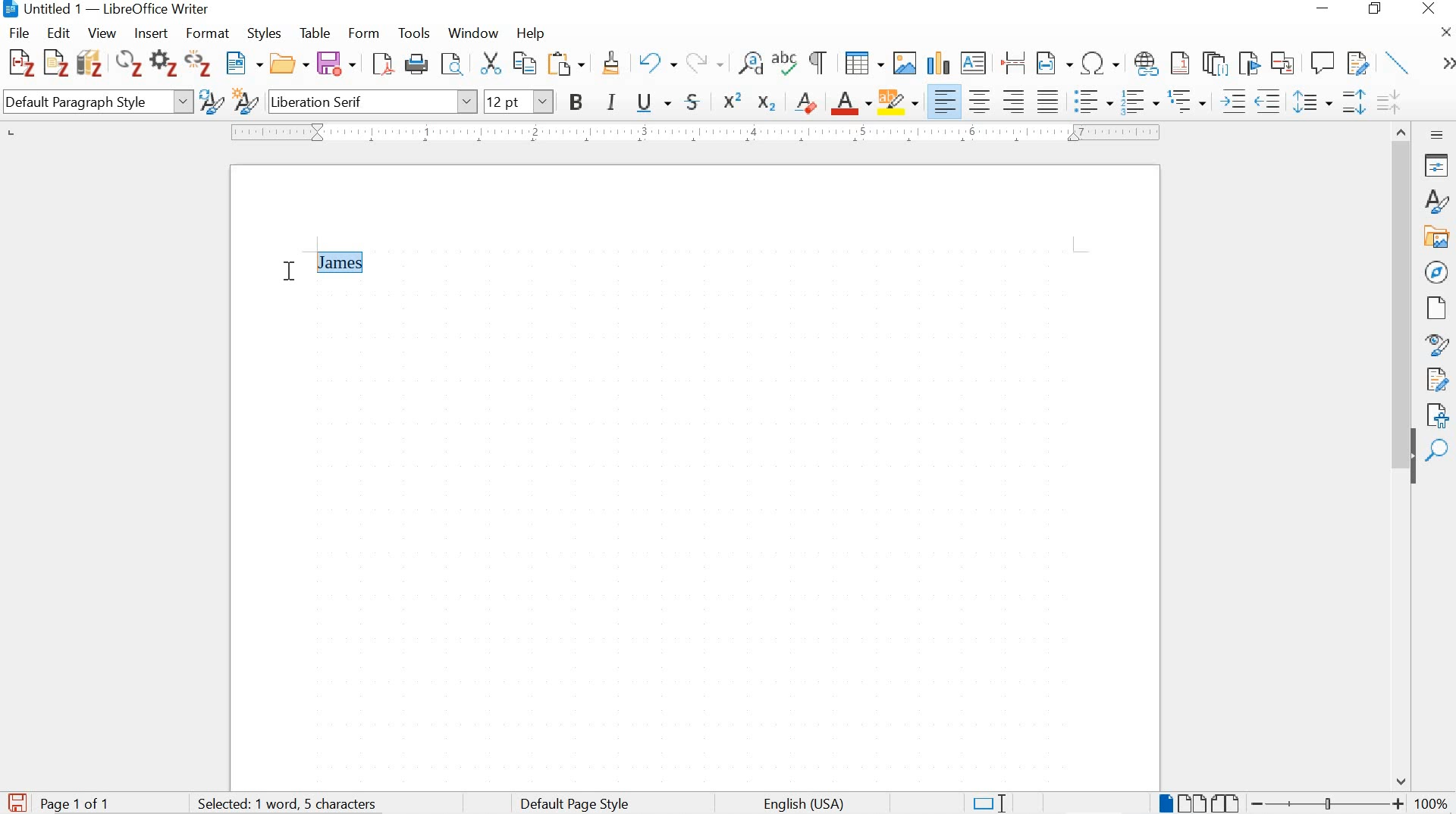  What do you see at coordinates (529, 33) in the screenshot?
I see `help` at bounding box center [529, 33].